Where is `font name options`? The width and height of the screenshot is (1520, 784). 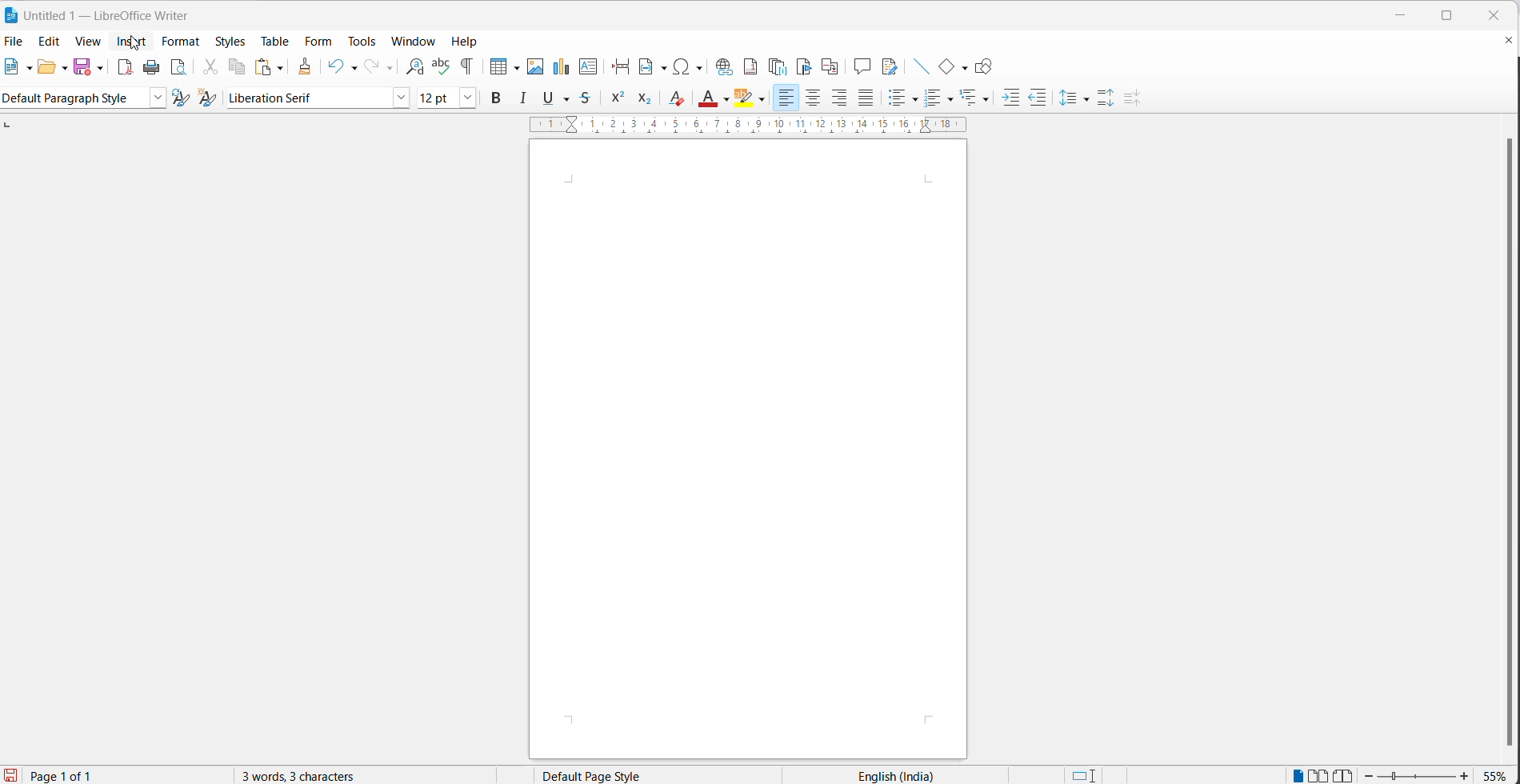 font name options is located at coordinates (399, 98).